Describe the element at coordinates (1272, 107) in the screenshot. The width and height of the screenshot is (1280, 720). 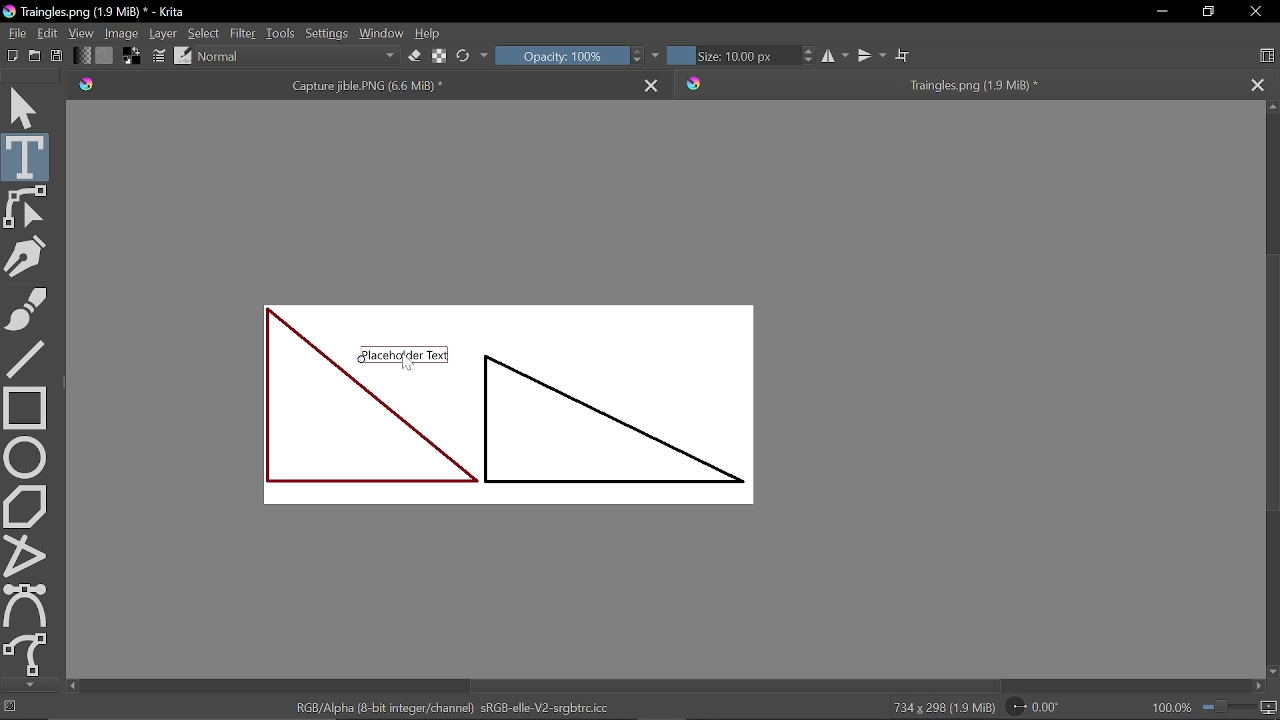
I see `Move up` at that location.